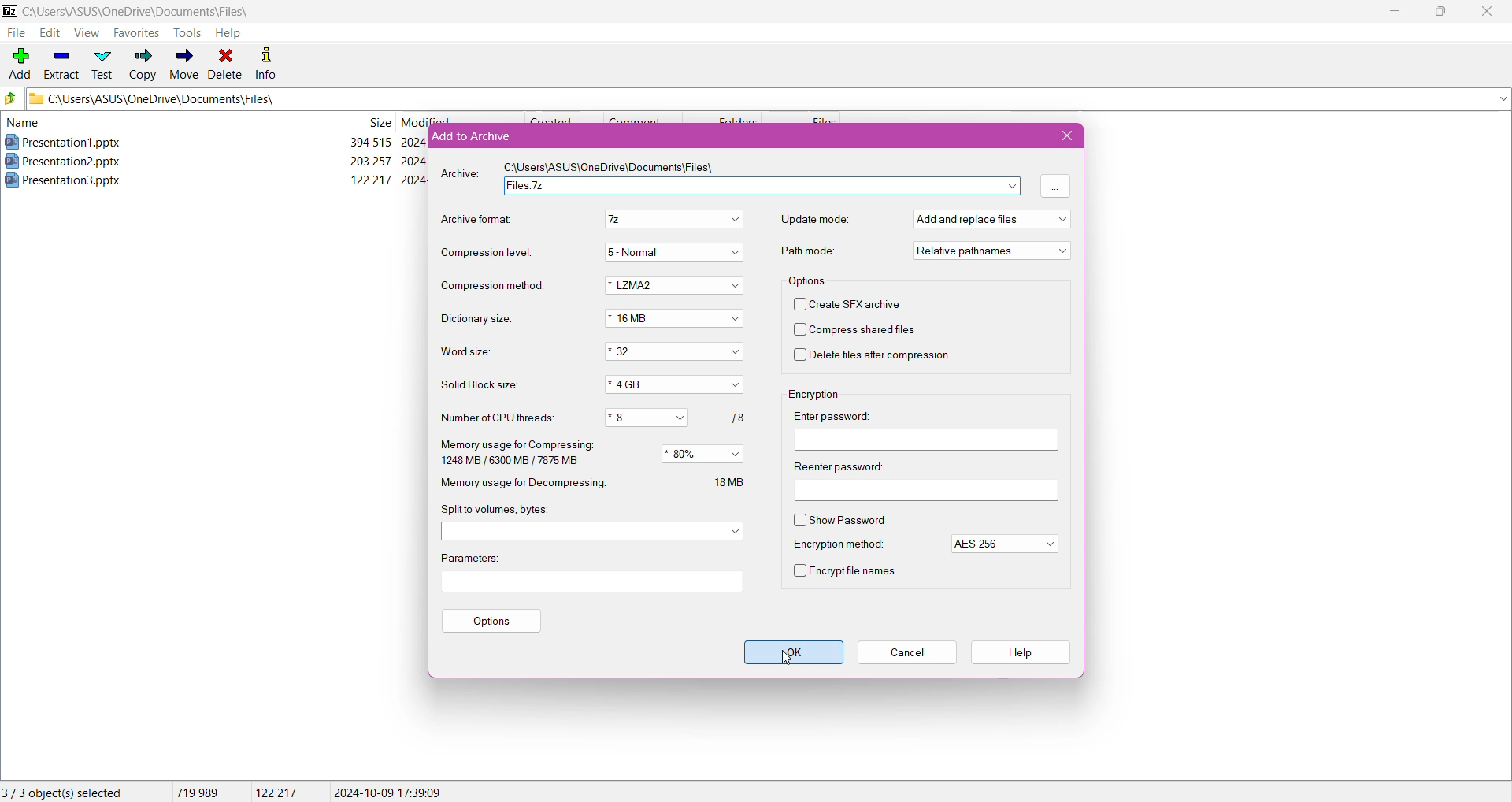 This screenshot has width=1512, height=802. What do you see at coordinates (521, 452) in the screenshot?
I see `Memory usage for Compressing:
1248 MB / 6300 MB / 7875 MB` at bounding box center [521, 452].